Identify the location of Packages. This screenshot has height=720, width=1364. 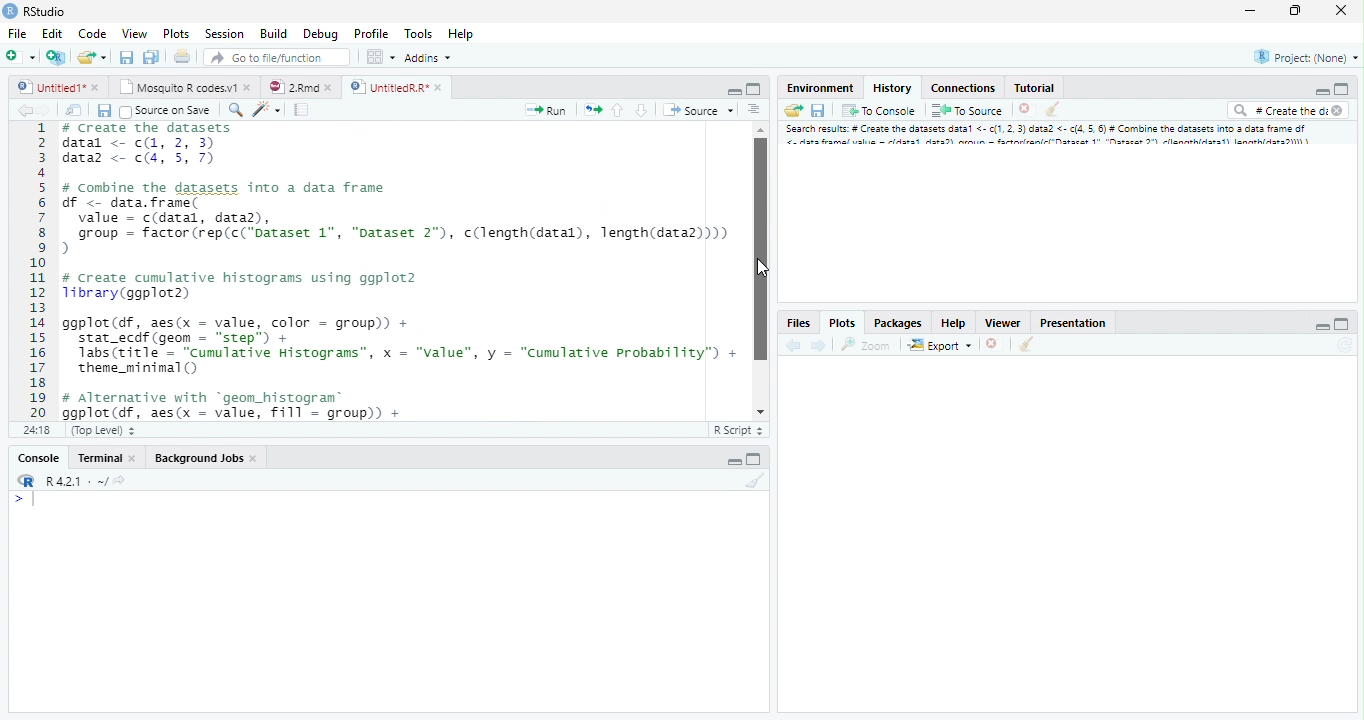
(898, 321).